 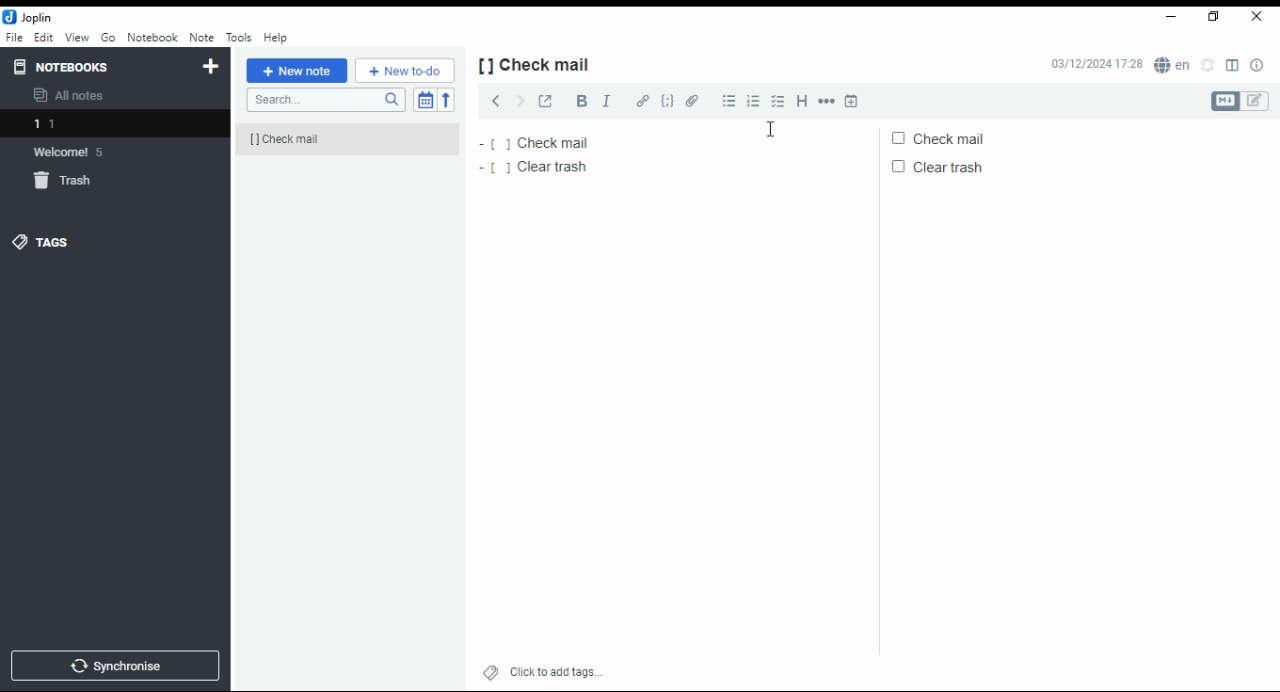 What do you see at coordinates (1096, 64) in the screenshot?
I see `03/12/2024 17:27` at bounding box center [1096, 64].